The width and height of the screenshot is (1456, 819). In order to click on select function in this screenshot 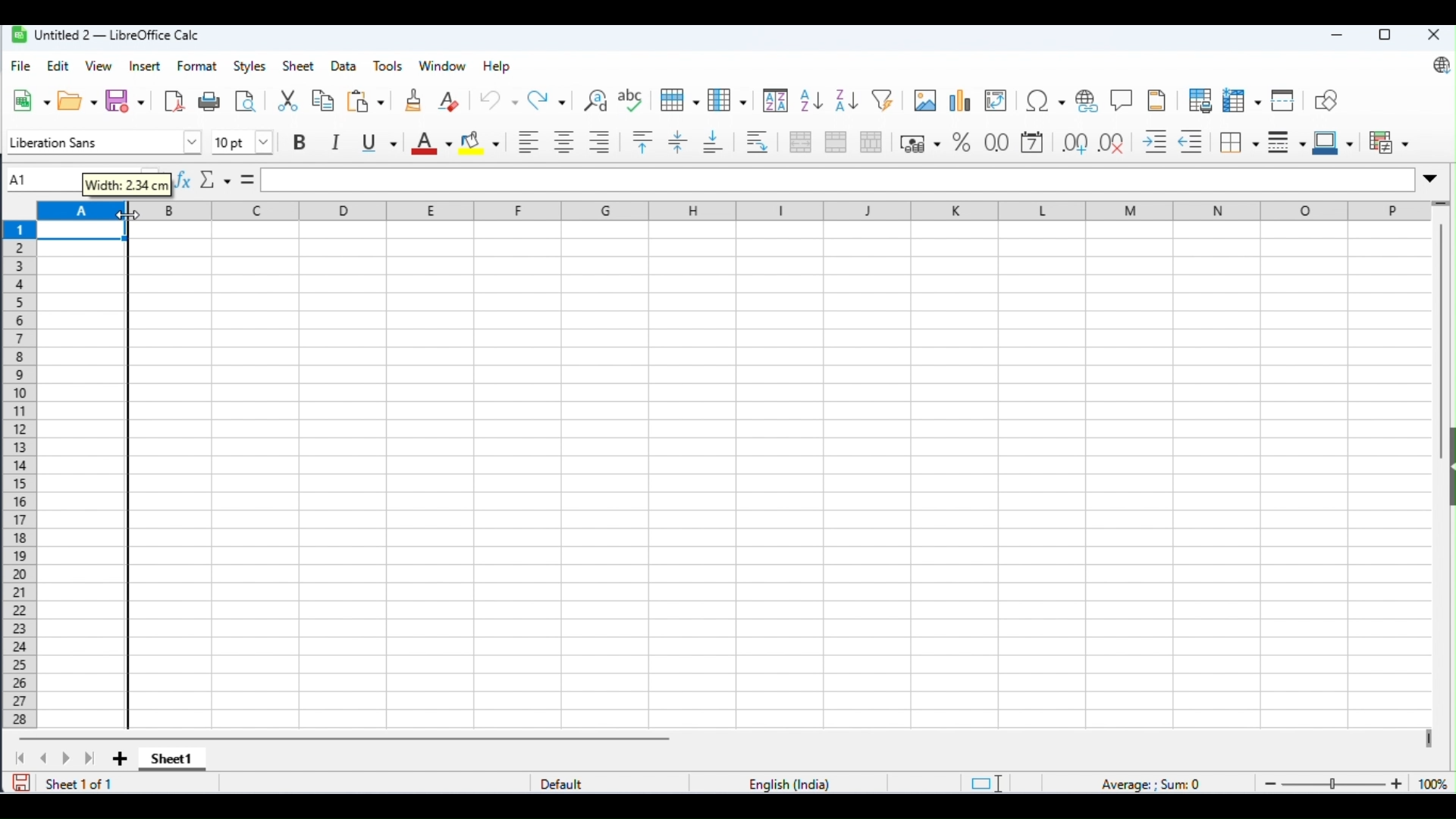, I will do `click(215, 178)`.